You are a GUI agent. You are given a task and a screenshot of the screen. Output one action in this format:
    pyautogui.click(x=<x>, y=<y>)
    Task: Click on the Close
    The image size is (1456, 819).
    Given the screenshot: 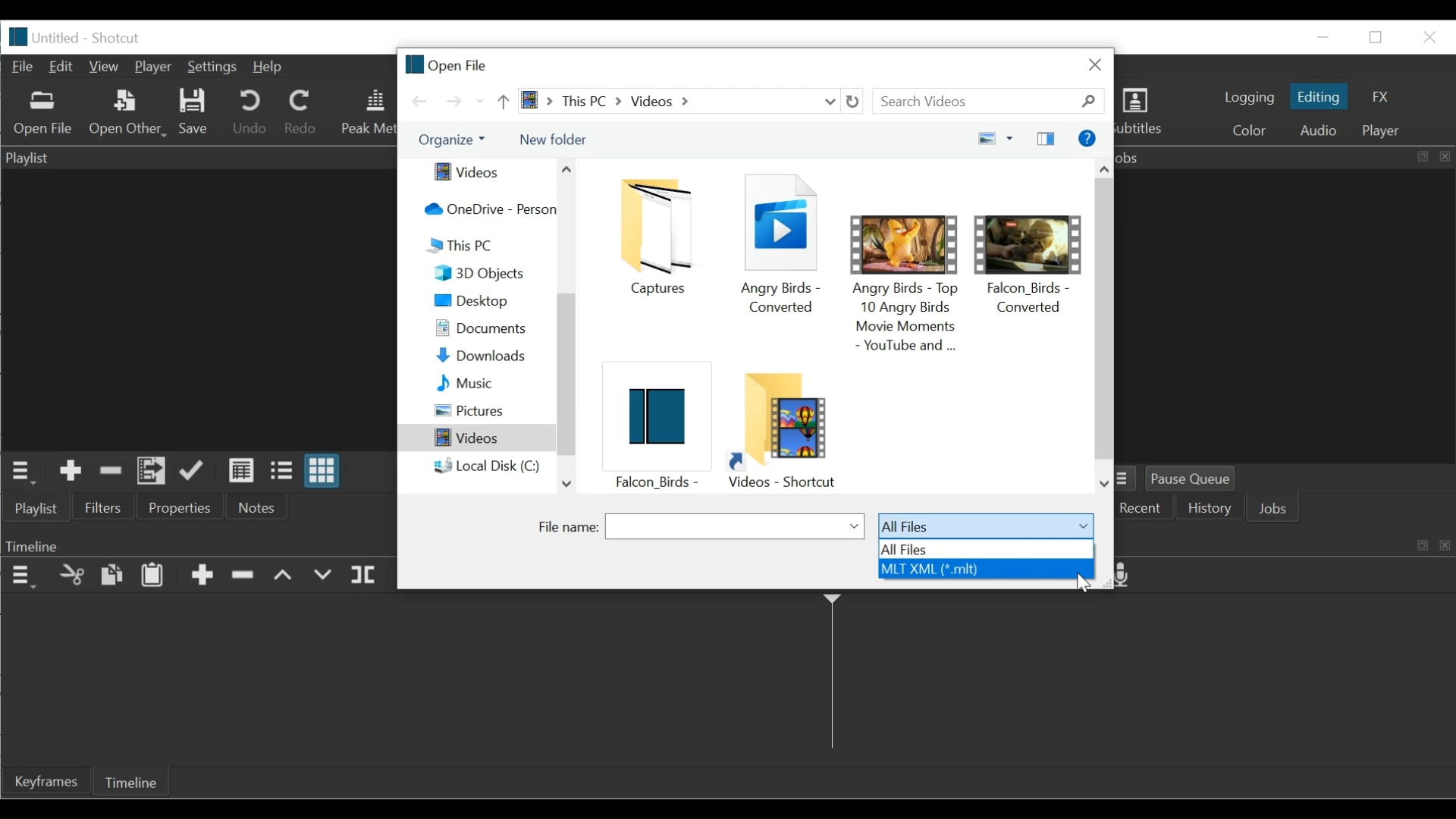 What is the action you would take?
    pyautogui.click(x=1426, y=36)
    